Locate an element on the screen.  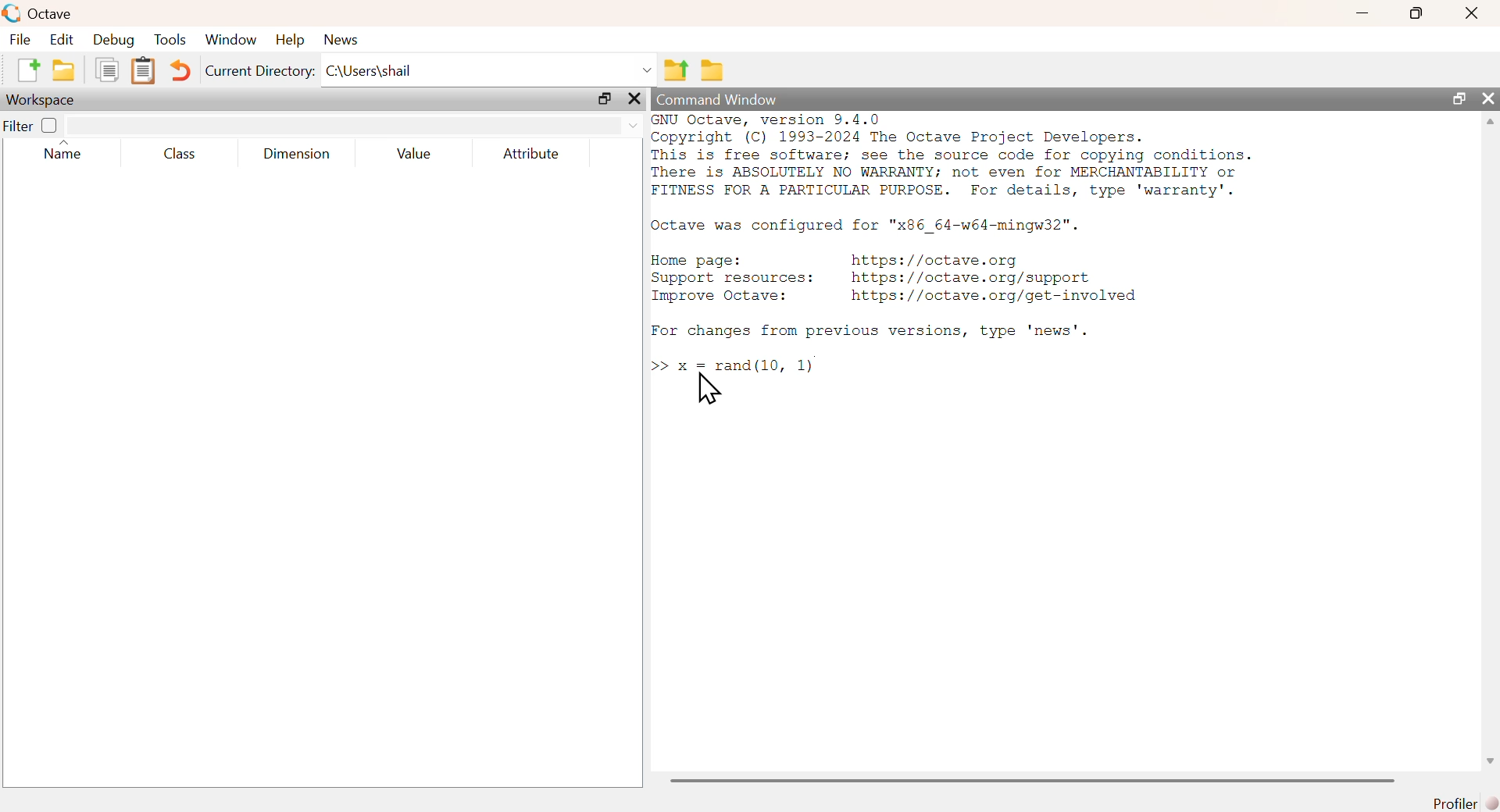
open an existing file in editor is located at coordinates (62, 71).